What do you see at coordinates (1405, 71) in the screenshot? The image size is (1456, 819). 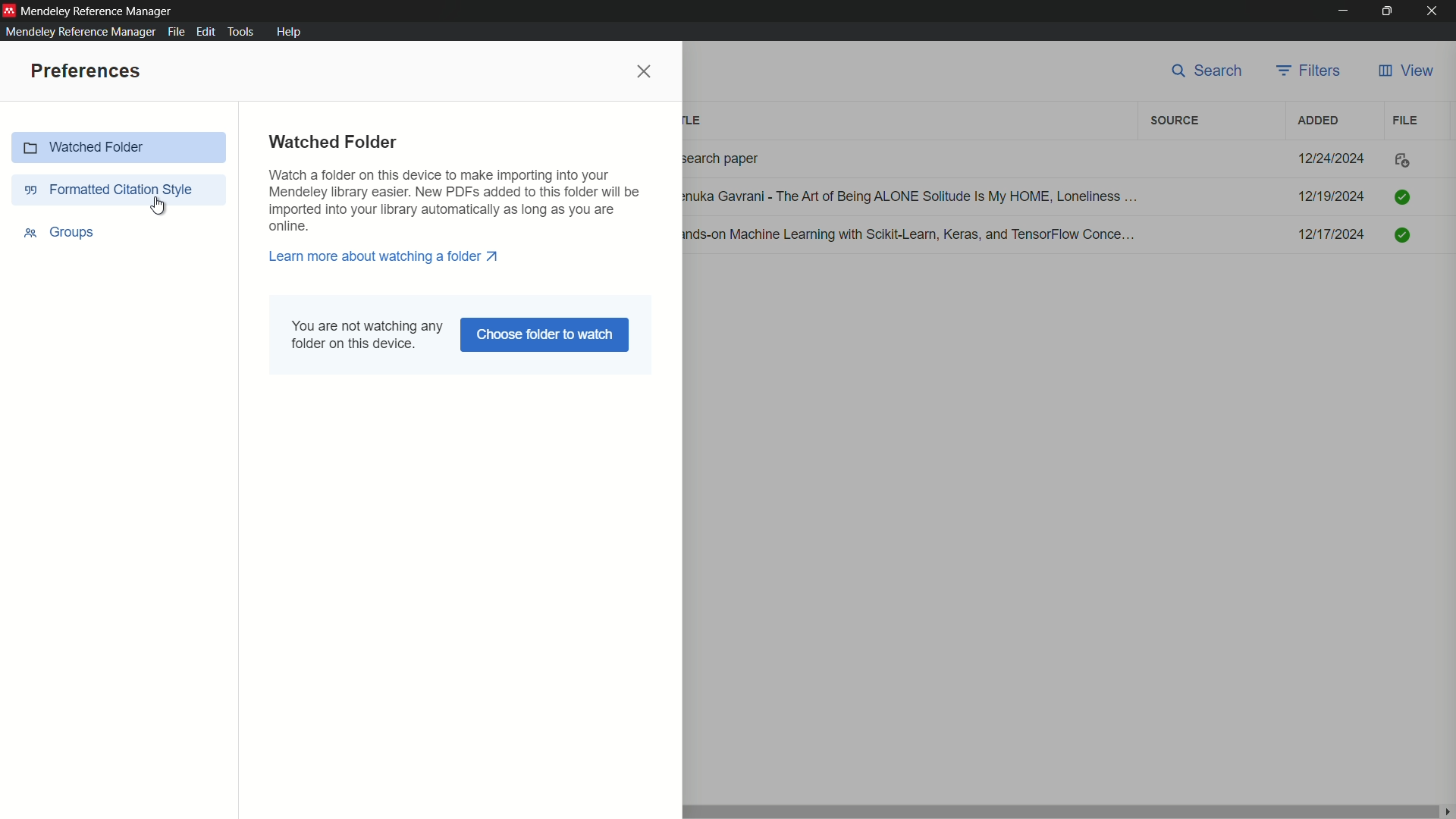 I see `view` at bounding box center [1405, 71].